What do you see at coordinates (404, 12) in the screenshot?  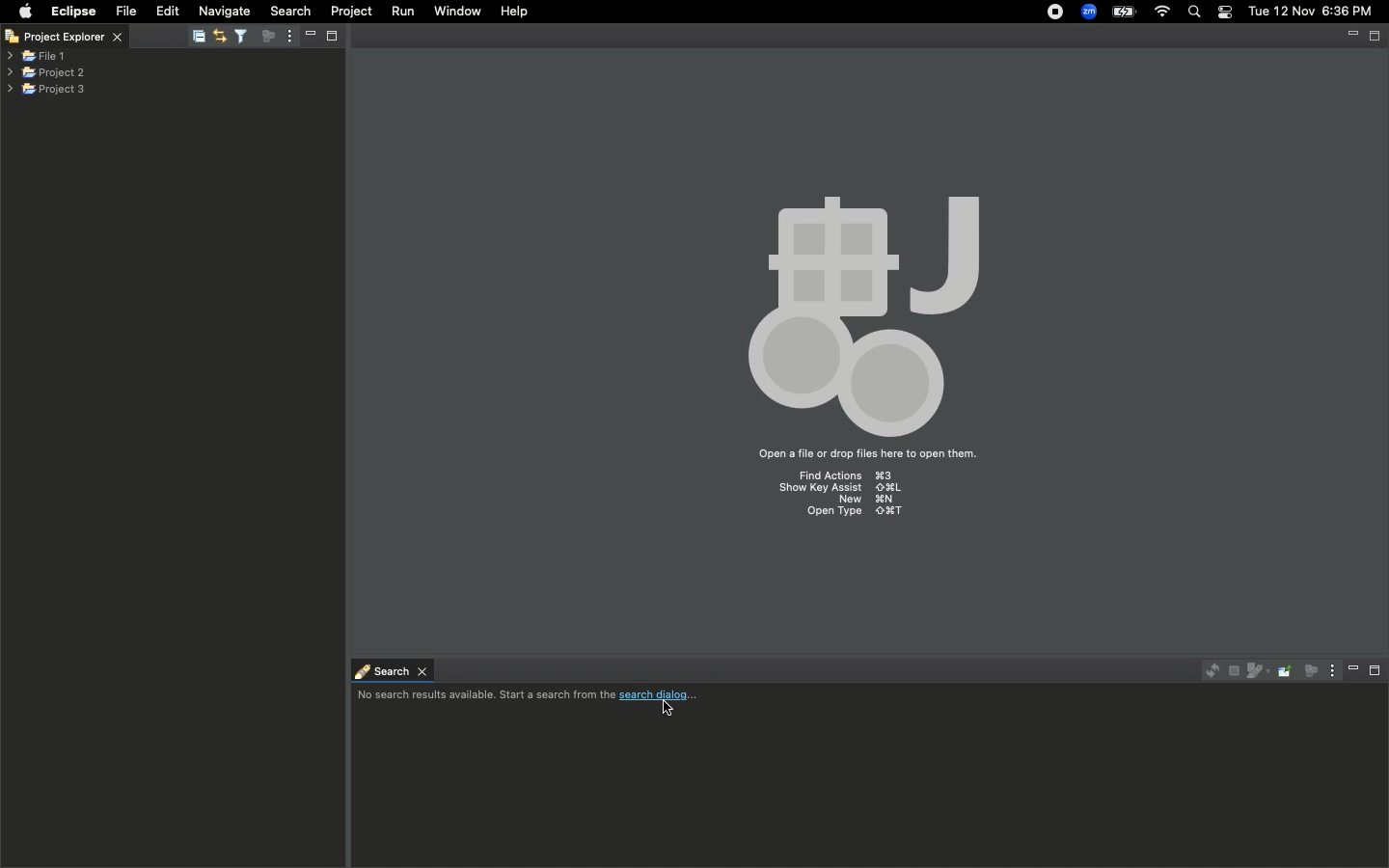 I see `Run` at bounding box center [404, 12].